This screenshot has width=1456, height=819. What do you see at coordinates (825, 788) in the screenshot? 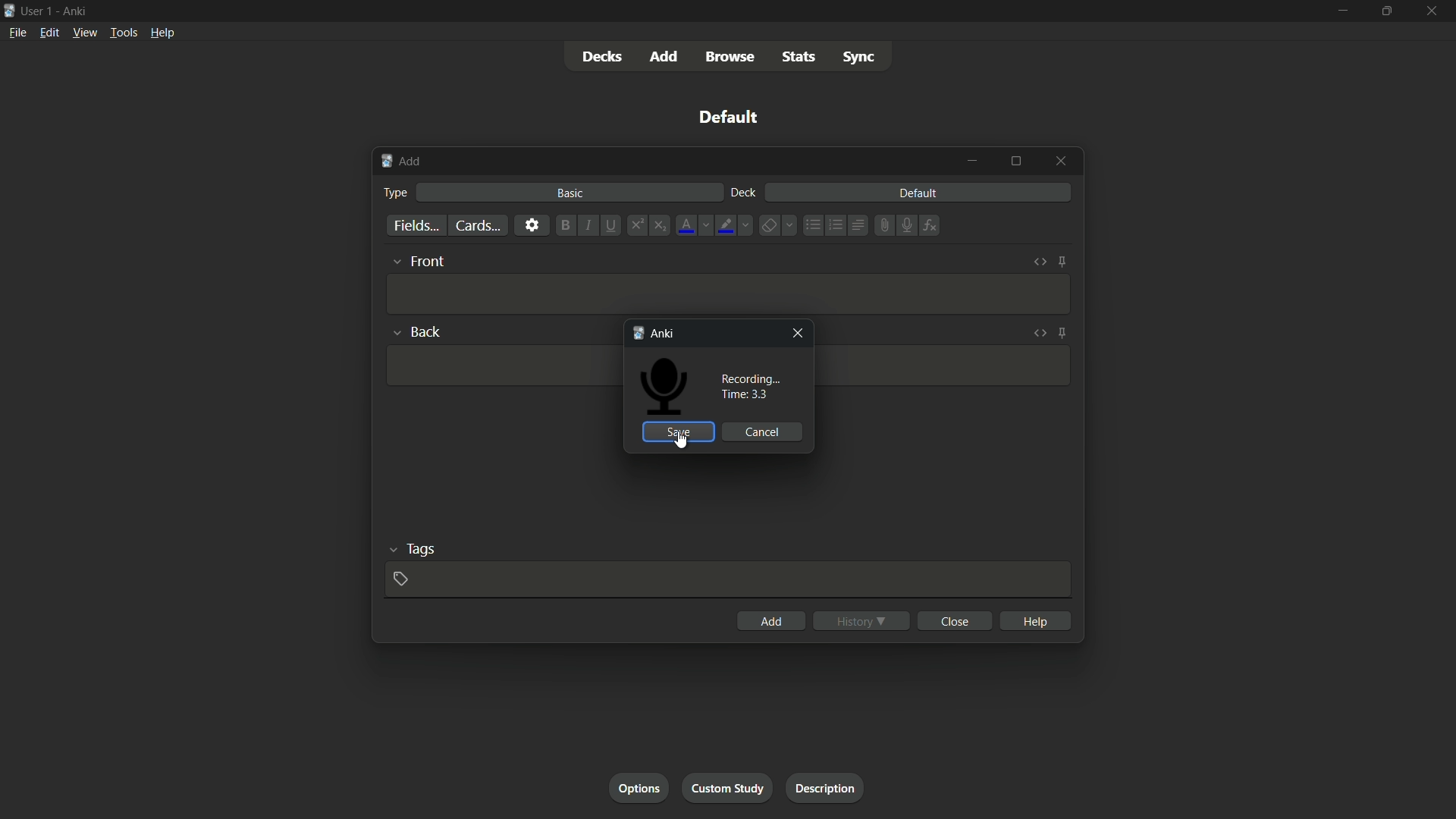
I see `description` at bounding box center [825, 788].